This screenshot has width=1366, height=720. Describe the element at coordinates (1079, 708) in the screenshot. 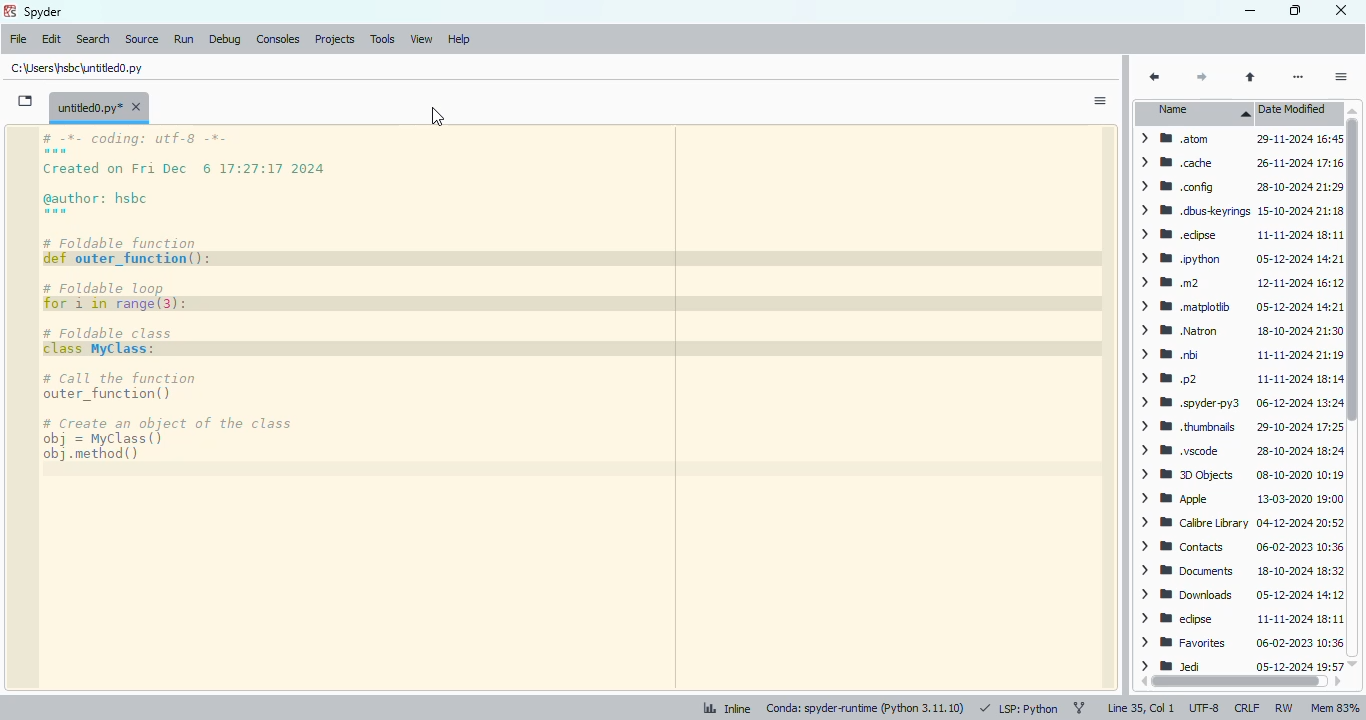

I see `git branch` at that location.